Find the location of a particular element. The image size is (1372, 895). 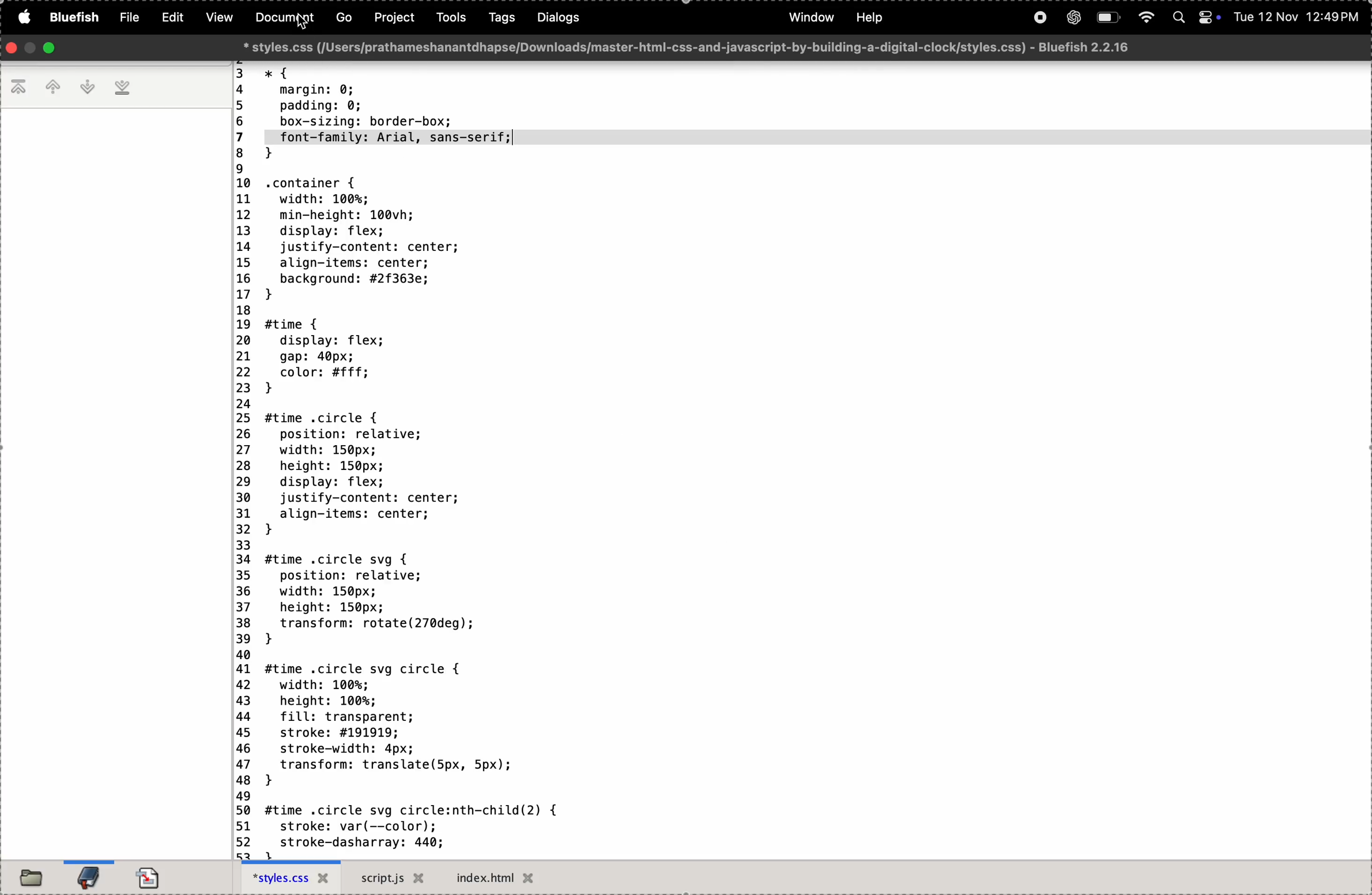

cursor is located at coordinates (308, 27).